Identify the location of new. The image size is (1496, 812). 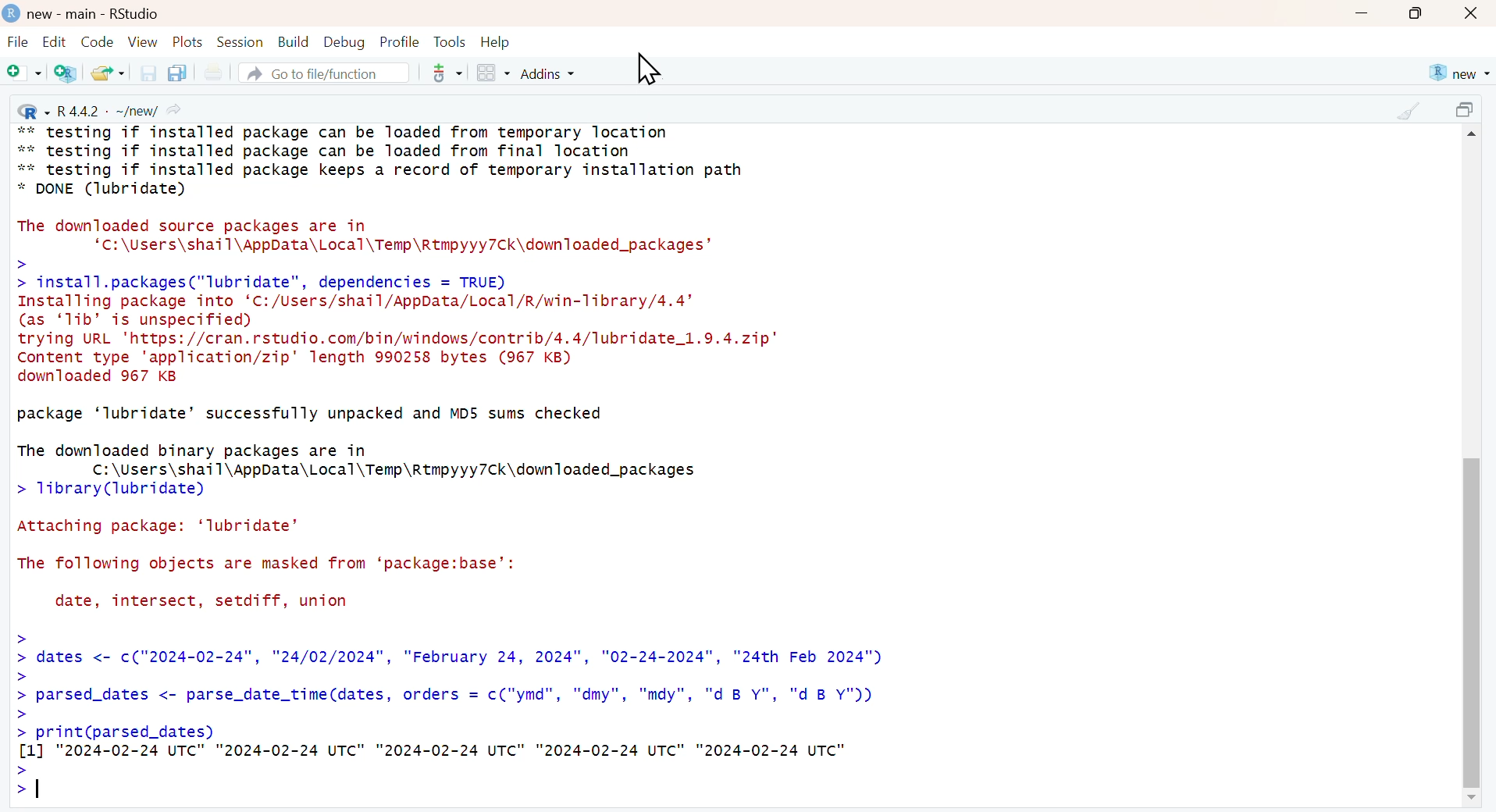
(1458, 73).